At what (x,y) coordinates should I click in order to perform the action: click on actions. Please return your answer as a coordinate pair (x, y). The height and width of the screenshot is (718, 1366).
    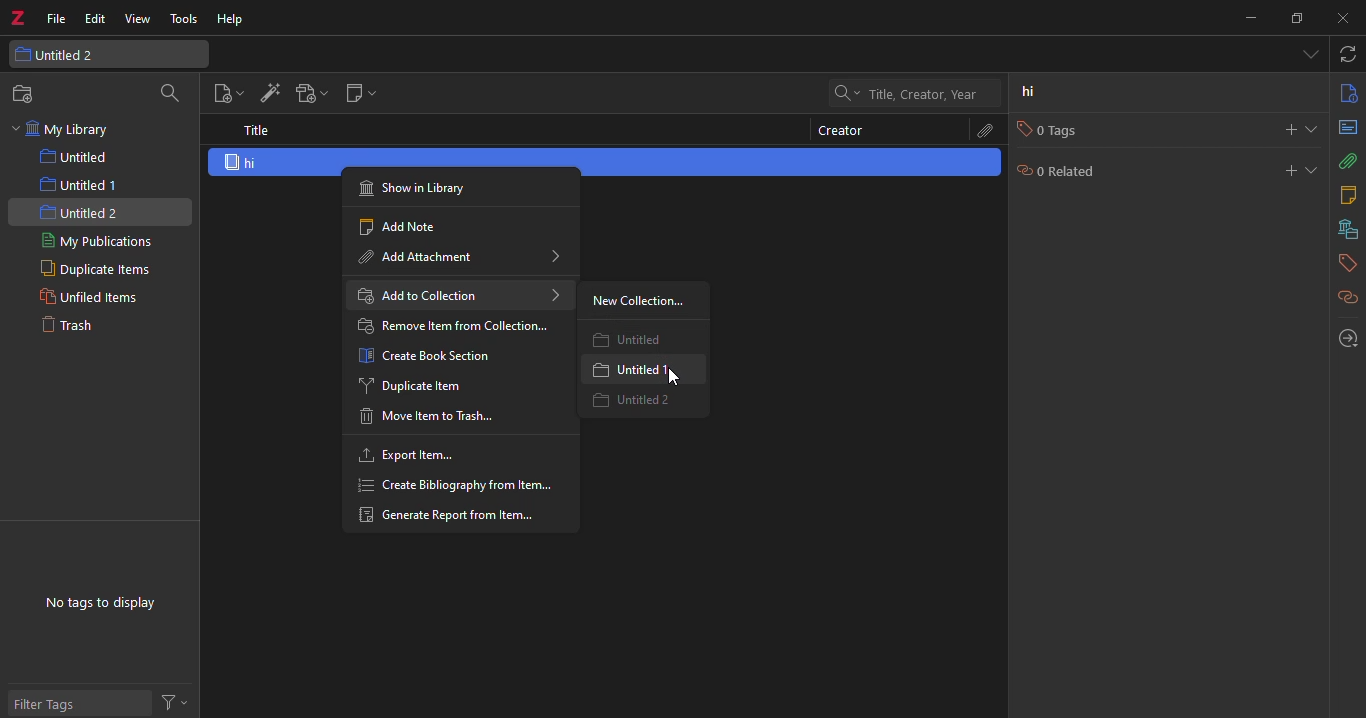
    Looking at the image, I should click on (179, 701).